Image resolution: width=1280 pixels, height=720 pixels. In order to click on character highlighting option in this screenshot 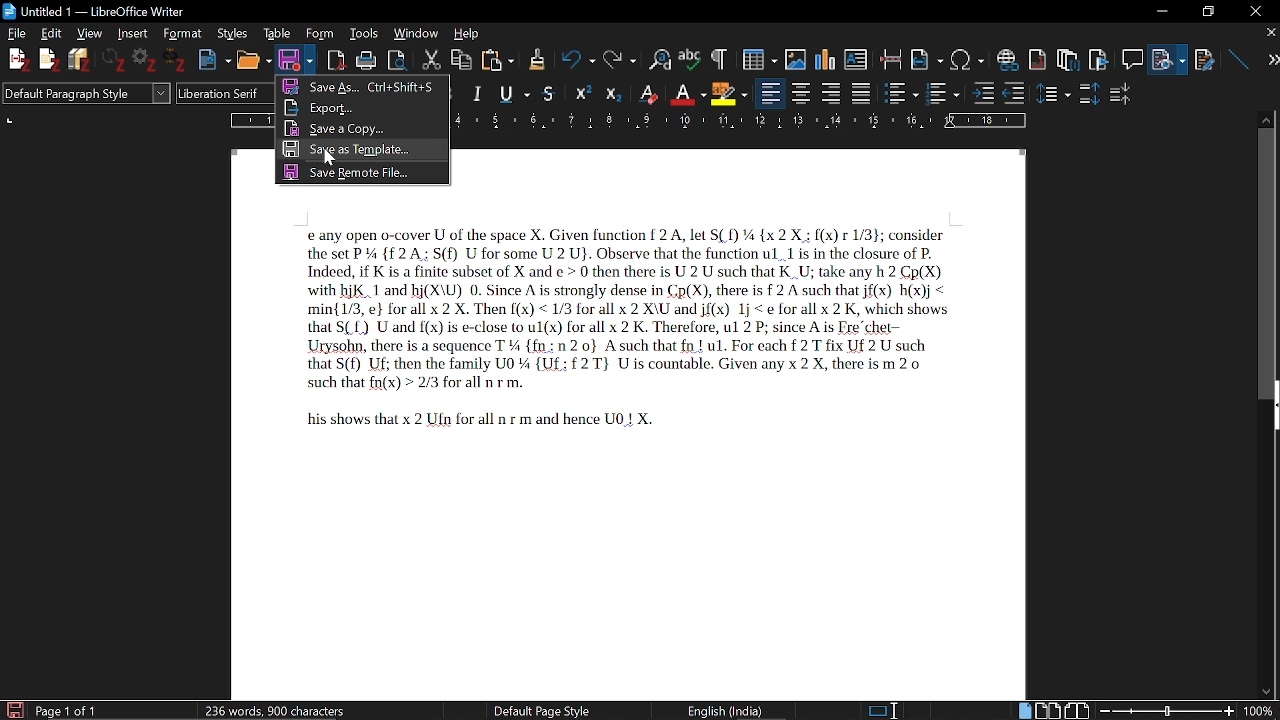, I will do `click(728, 92)`.